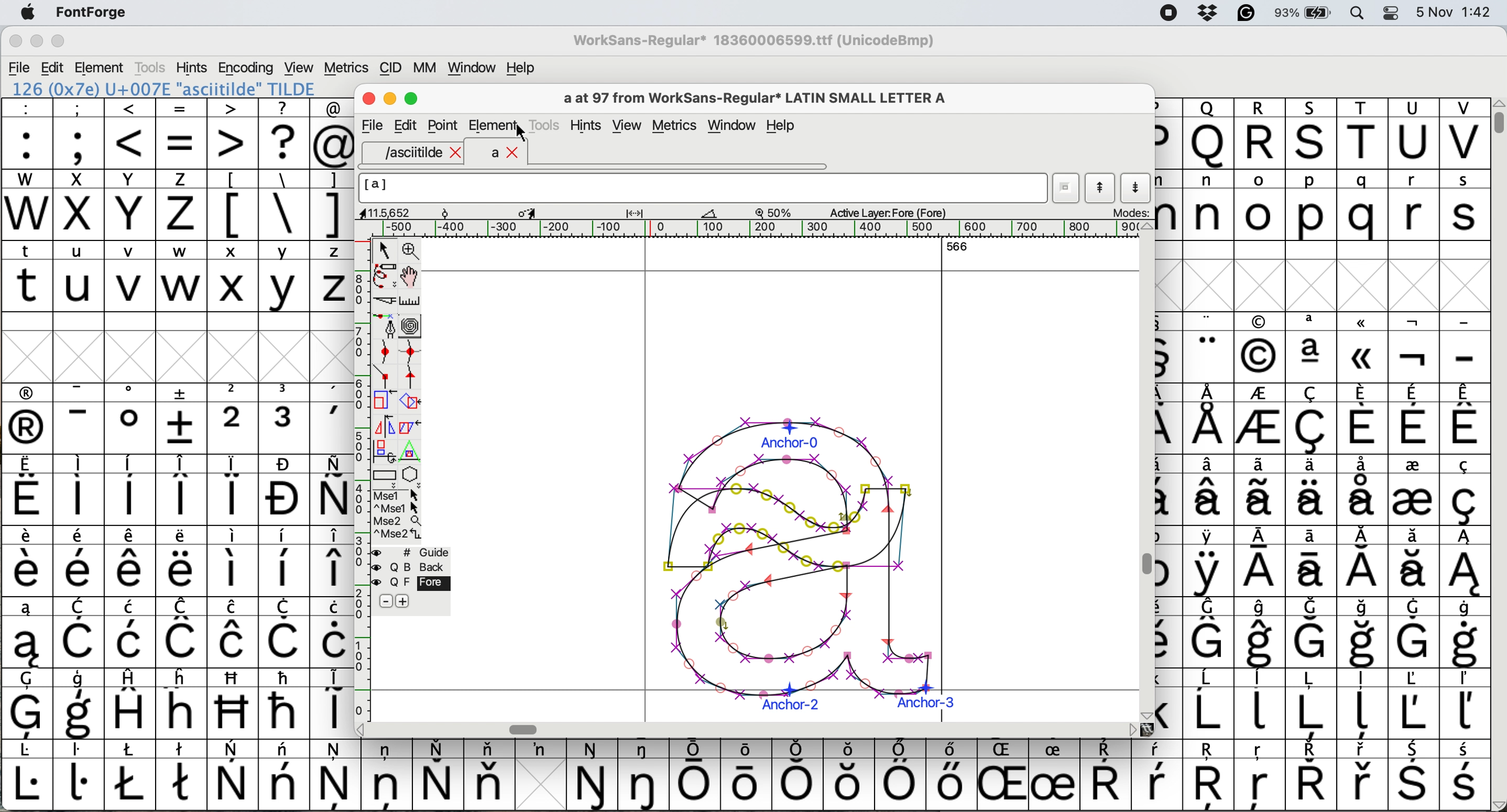 This screenshot has width=1507, height=812. I want to click on \, so click(283, 205).